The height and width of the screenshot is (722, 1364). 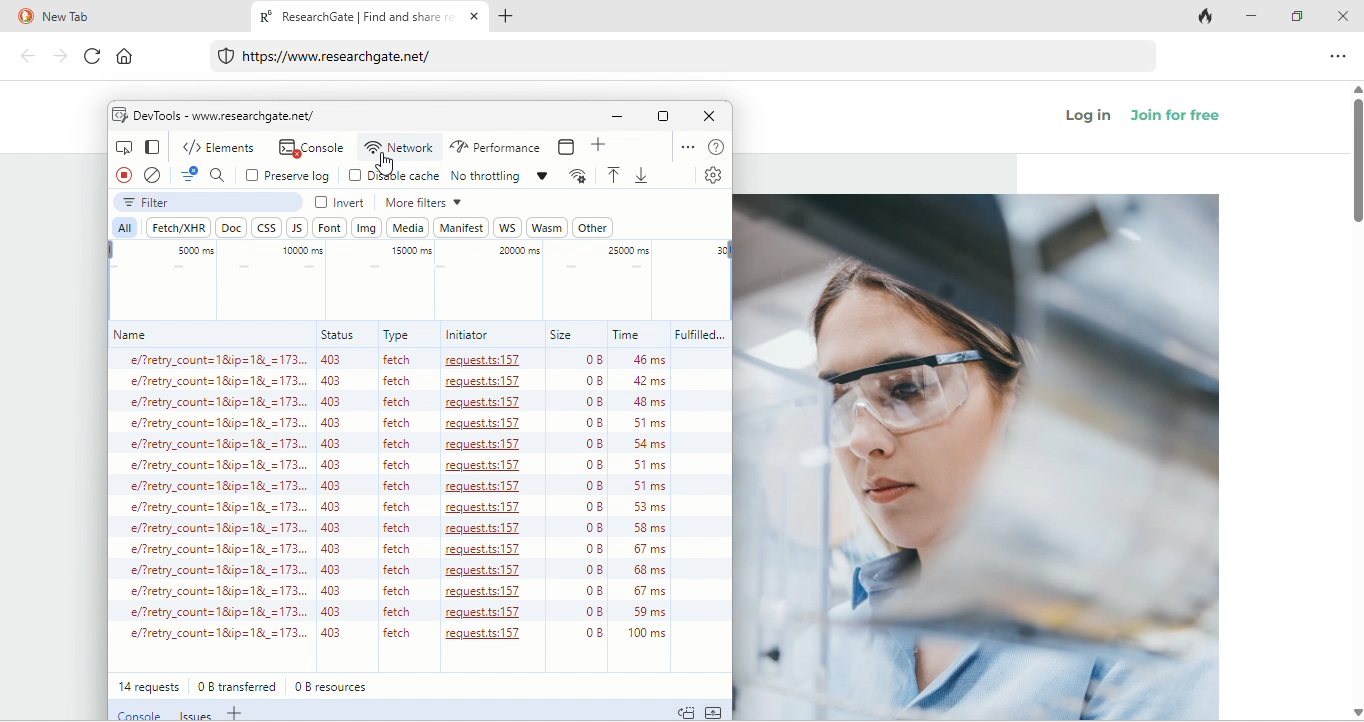 I want to click on font, so click(x=330, y=227).